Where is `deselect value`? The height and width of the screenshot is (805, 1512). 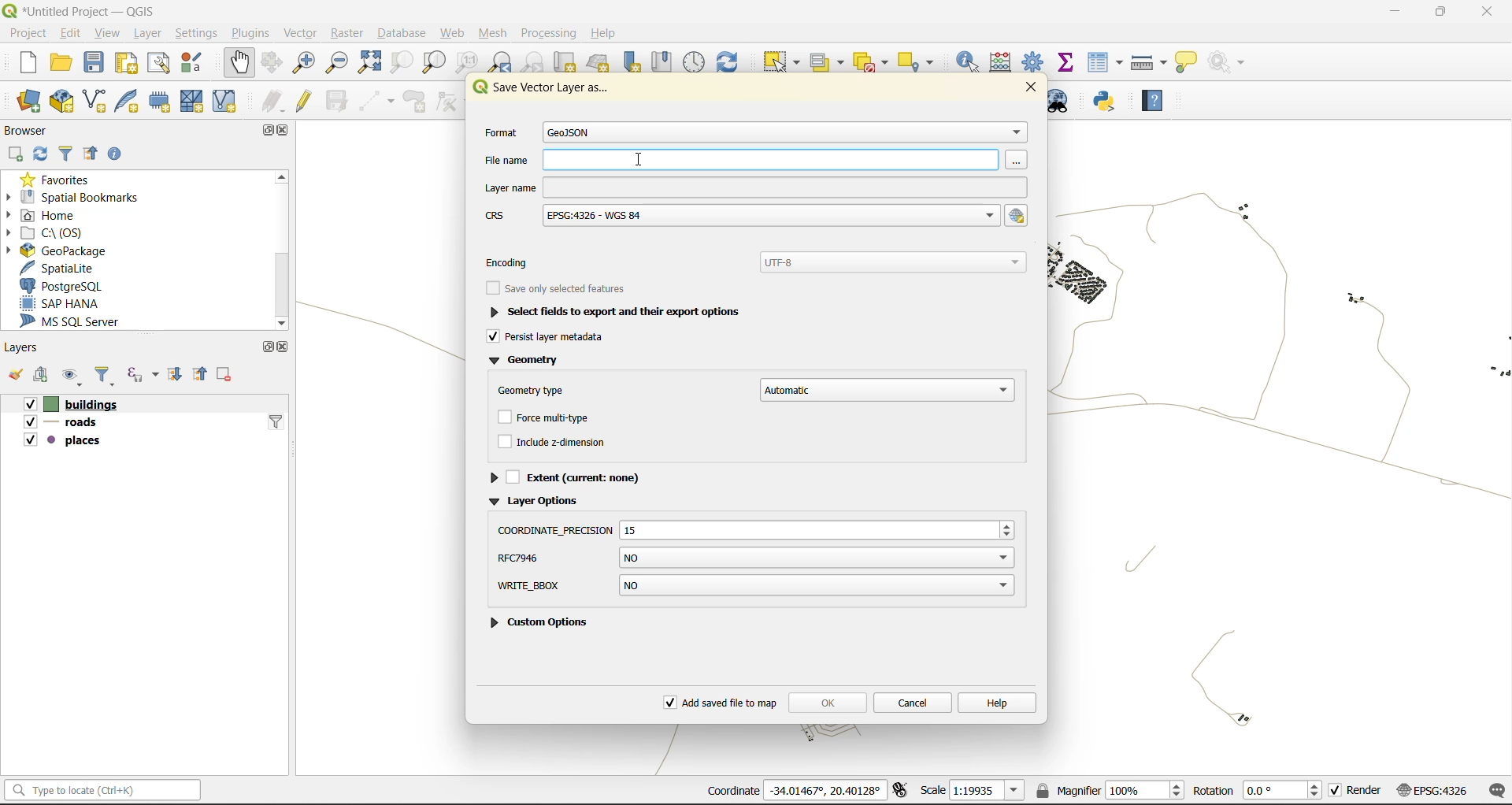 deselect value is located at coordinates (874, 63).